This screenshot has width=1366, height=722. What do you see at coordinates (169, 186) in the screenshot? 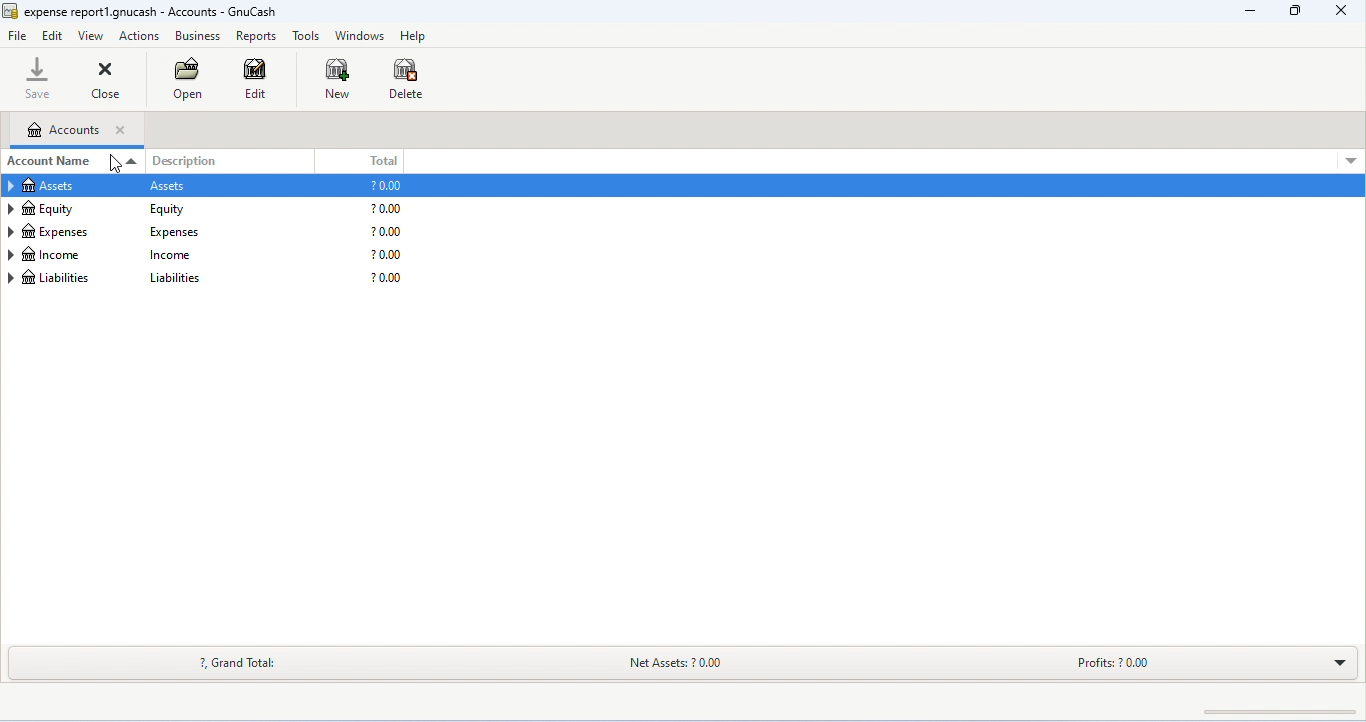
I see `assets description` at bounding box center [169, 186].